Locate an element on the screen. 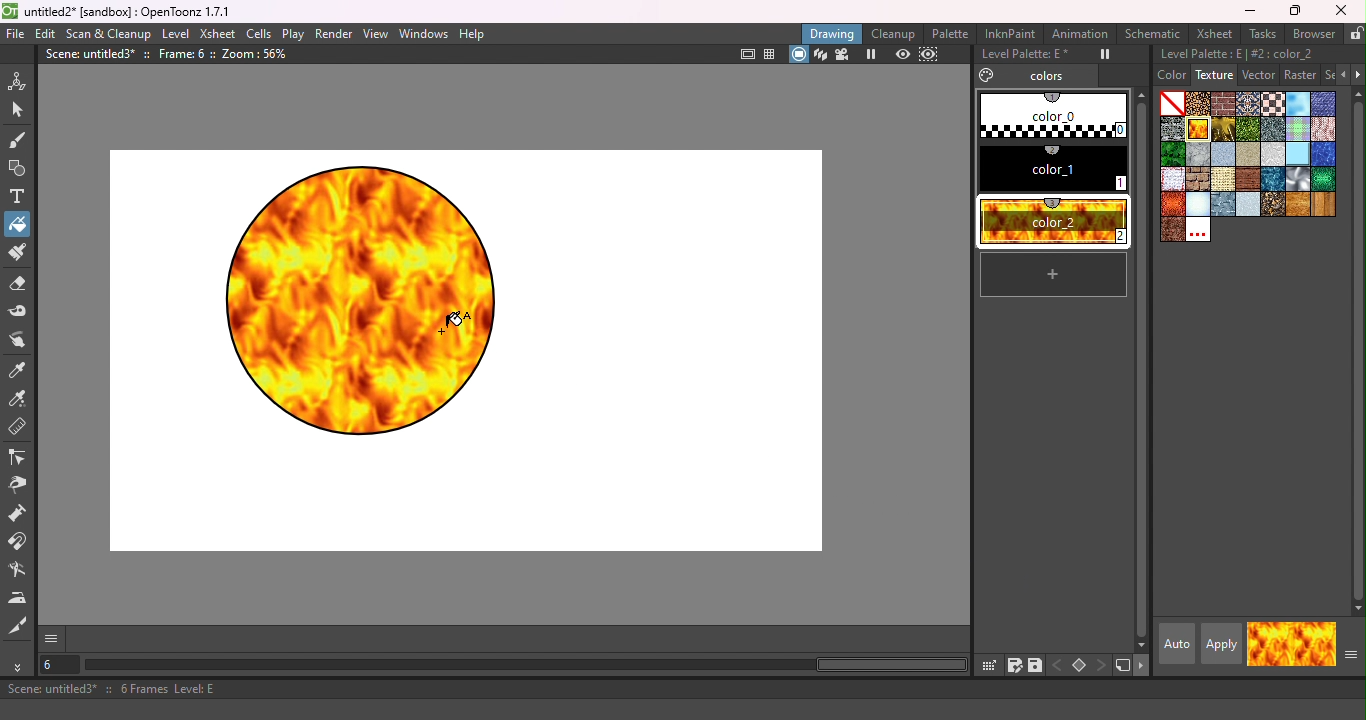  Drawing is located at coordinates (833, 33).